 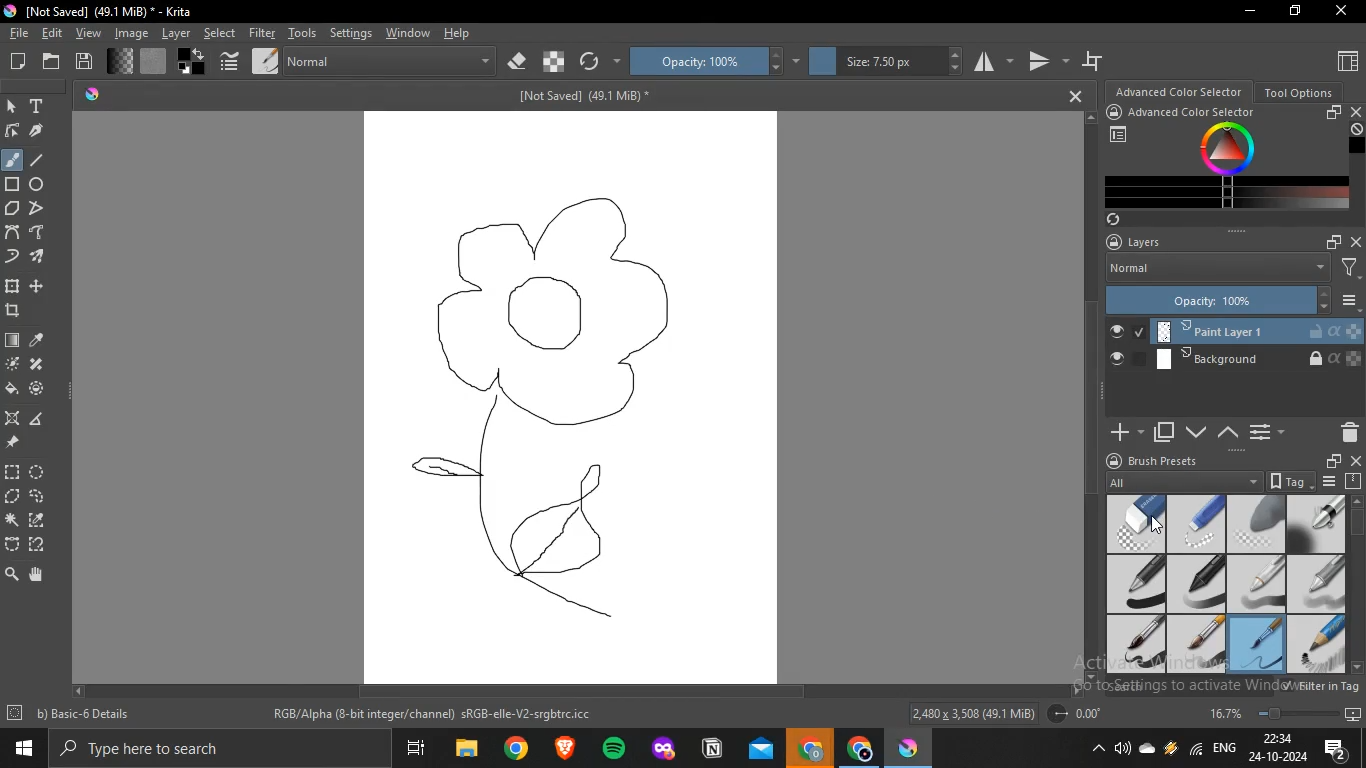 What do you see at coordinates (1357, 498) in the screenshot?
I see `Up` at bounding box center [1357, 498].